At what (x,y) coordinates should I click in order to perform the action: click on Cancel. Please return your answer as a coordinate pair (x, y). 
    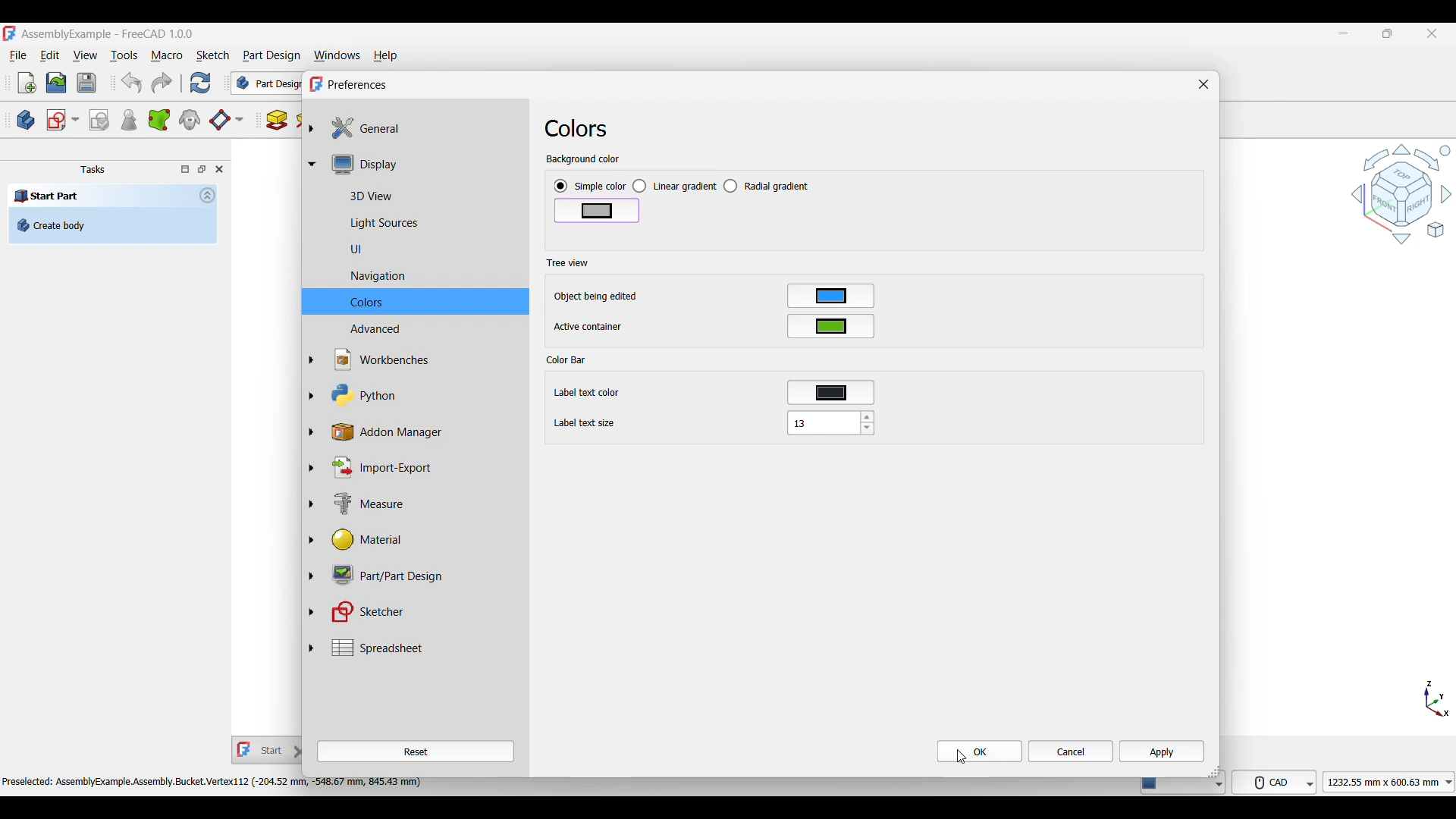
    Looking at the image, I should click on (1071, 752).